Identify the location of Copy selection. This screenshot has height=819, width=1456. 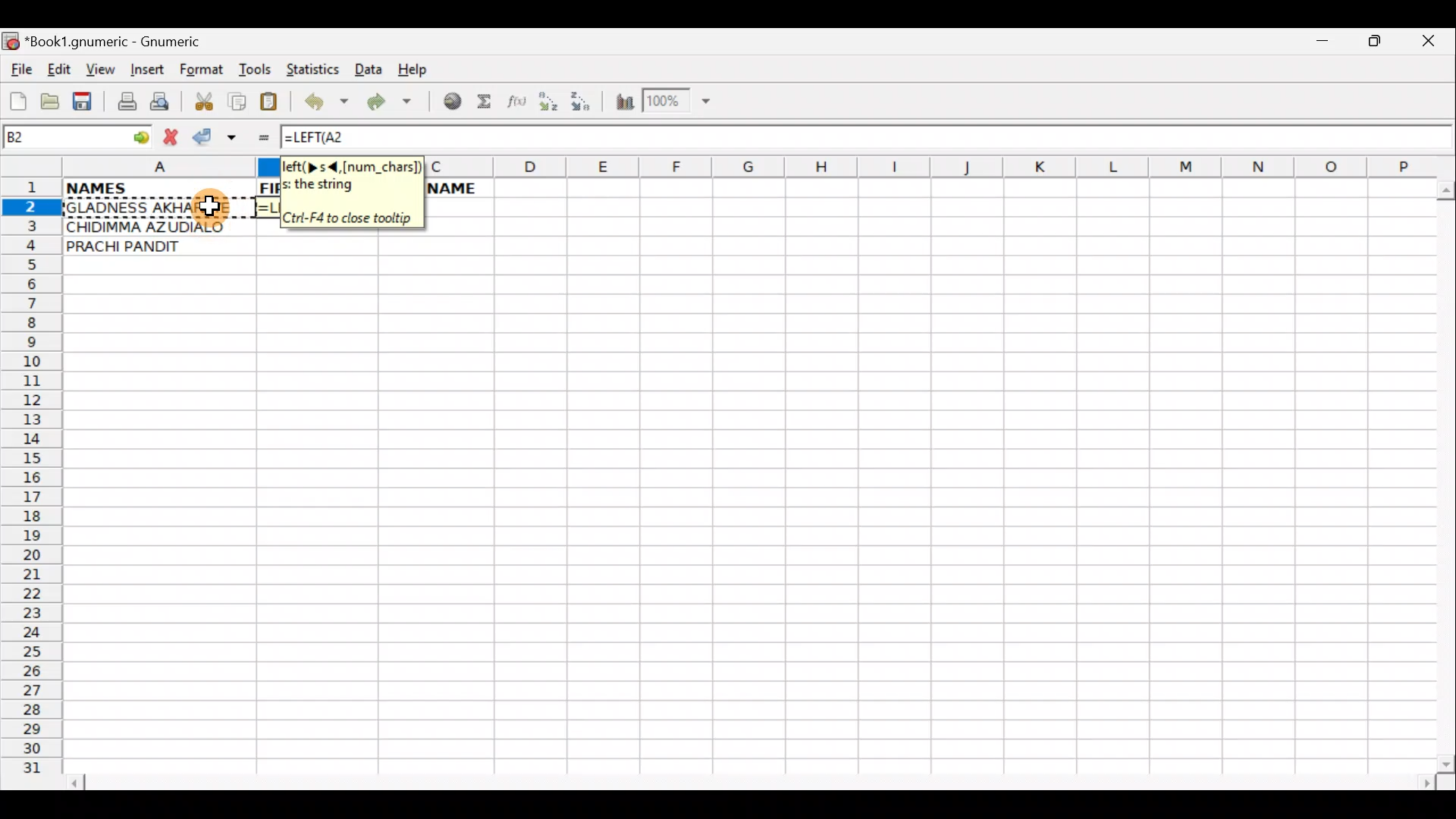
(238, 101).